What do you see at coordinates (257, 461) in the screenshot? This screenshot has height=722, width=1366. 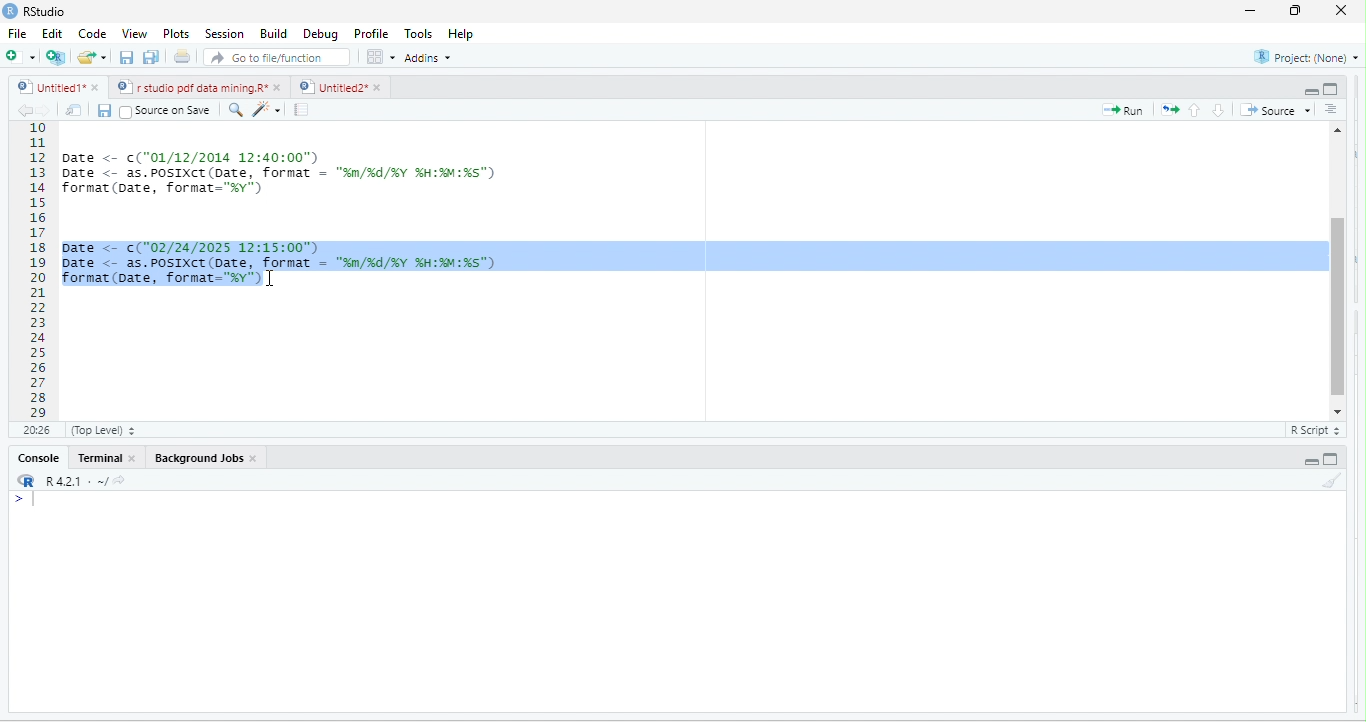 I see `close` at bounding box center [257, 461].